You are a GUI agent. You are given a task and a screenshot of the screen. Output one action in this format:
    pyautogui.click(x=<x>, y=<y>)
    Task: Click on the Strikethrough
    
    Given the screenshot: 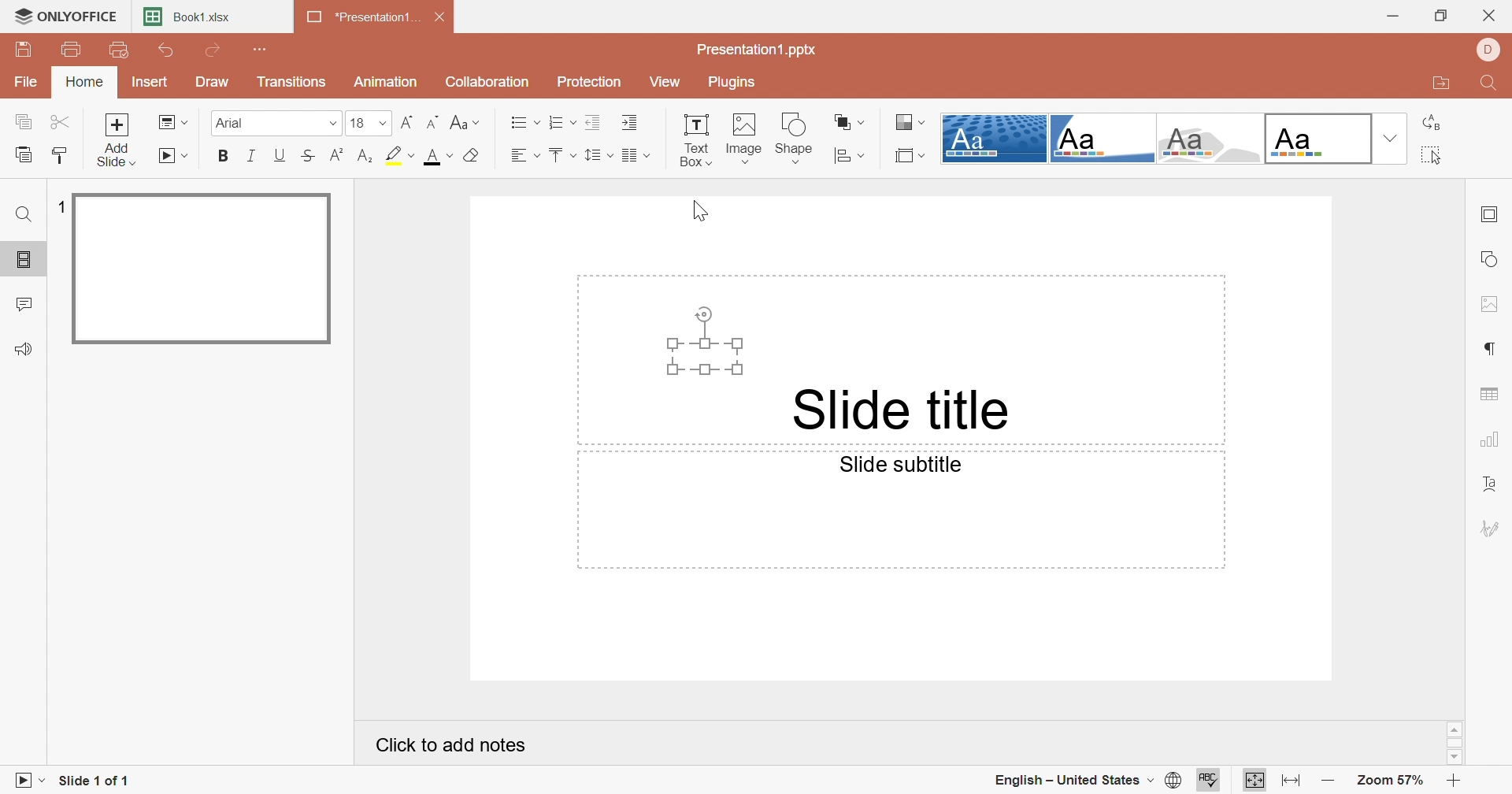 What is the action you would take?
    pyautogui.click(x=309, y=155)
    